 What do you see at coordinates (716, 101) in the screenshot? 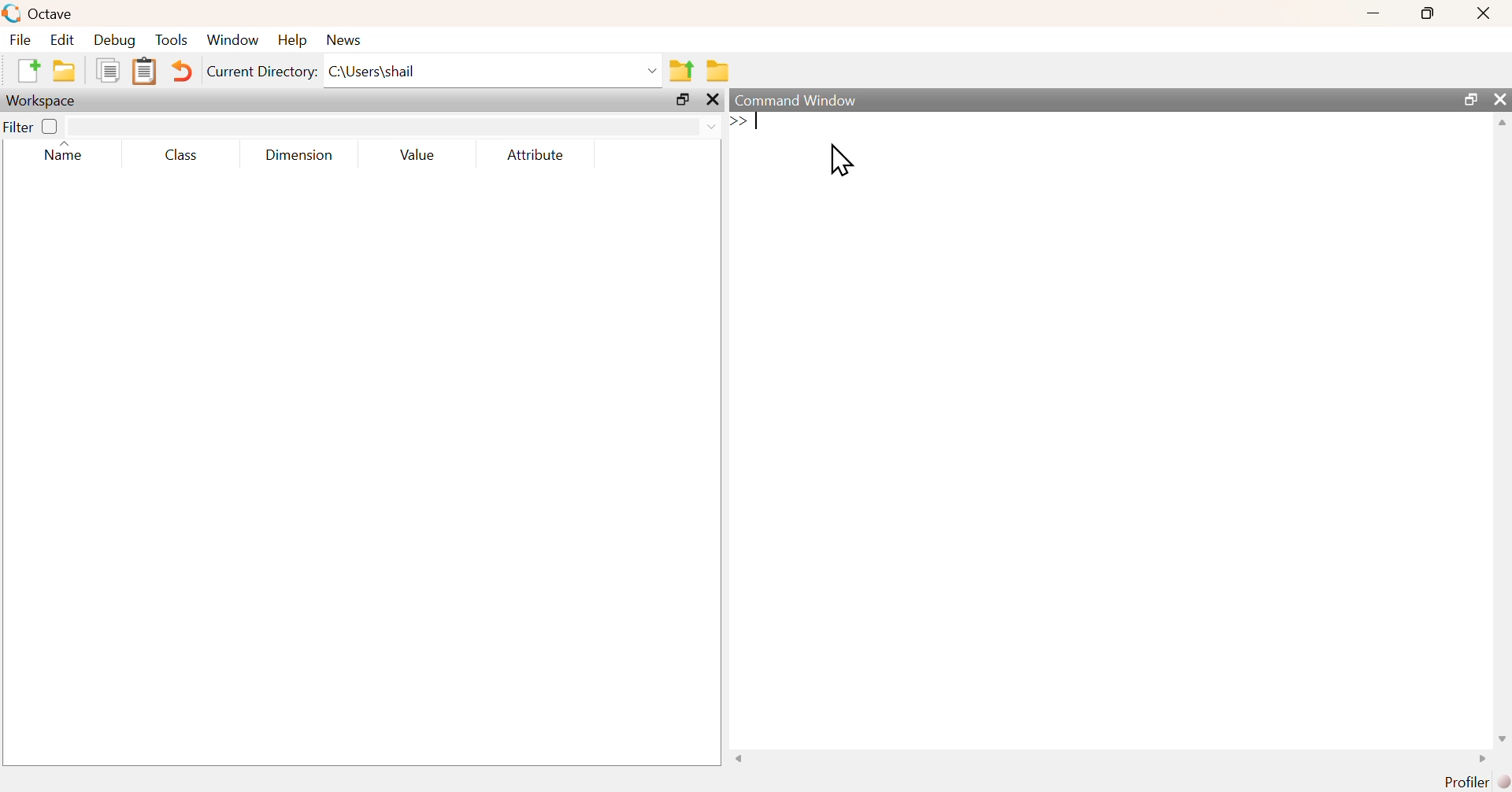
I see `Close` at bounding box center [716, 101].